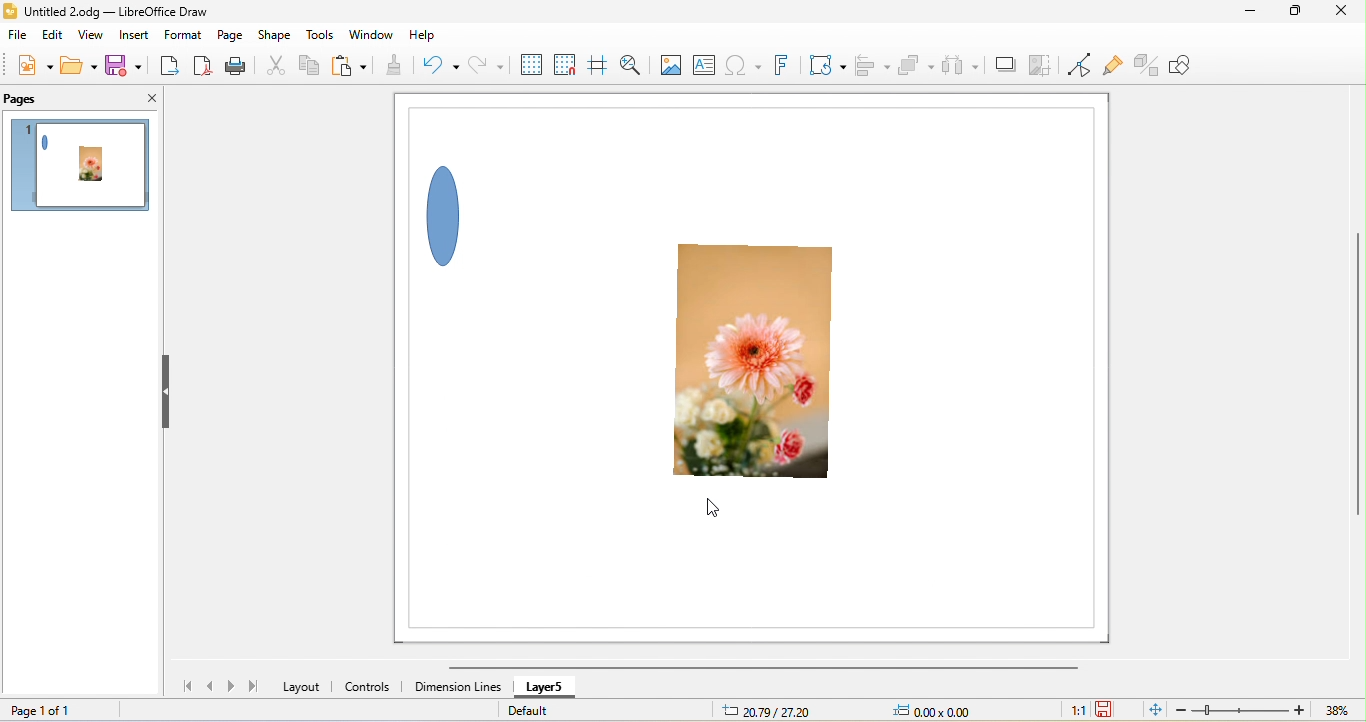  Describe the element at coordinates (51, 39) in the screenshot. I see `edit` at that location.